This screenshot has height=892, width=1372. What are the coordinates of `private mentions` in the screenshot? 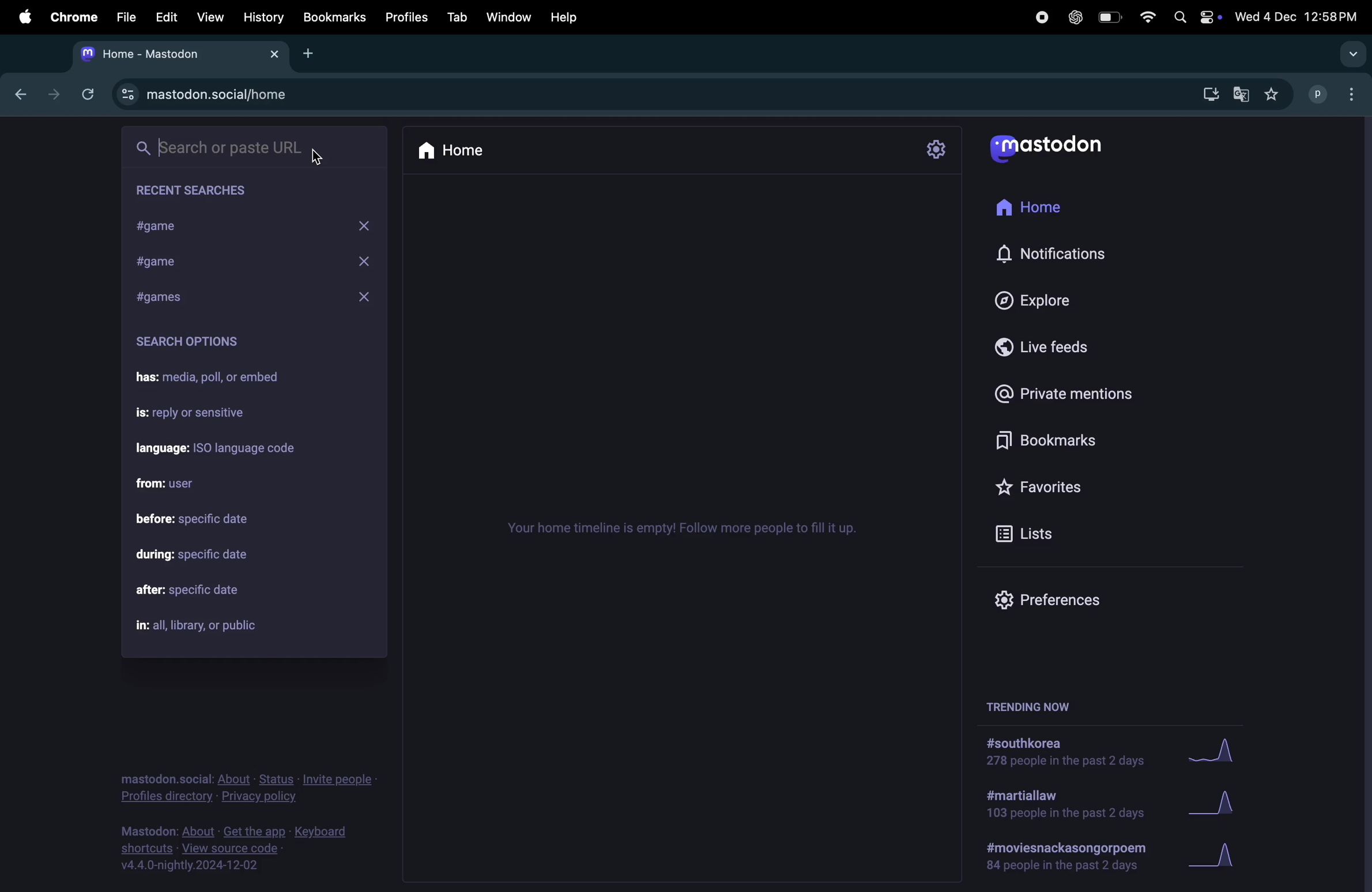 It's located at (1081, 393).